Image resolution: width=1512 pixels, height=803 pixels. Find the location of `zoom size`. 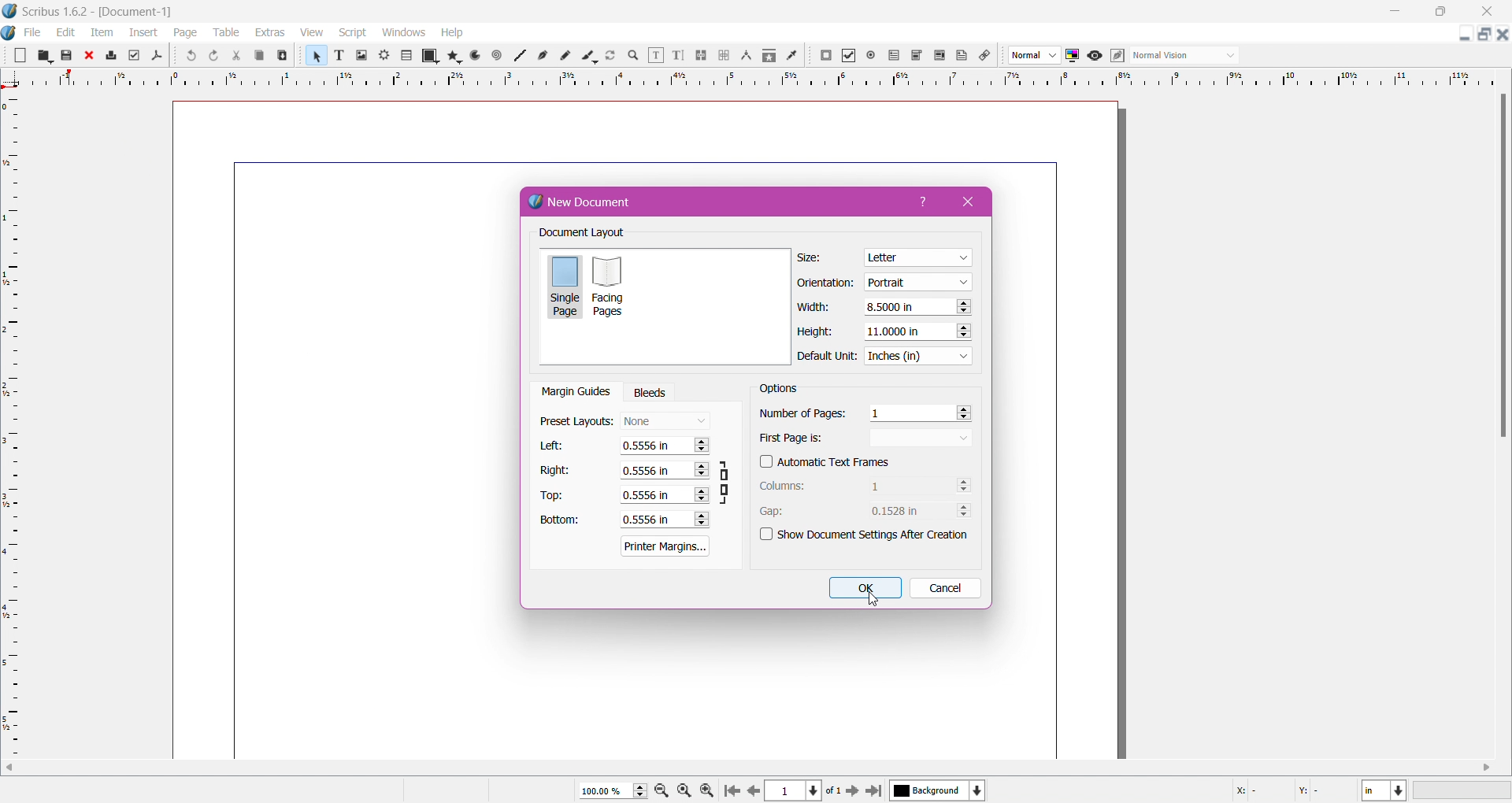

zoom size is located at coordinates (611, 790).